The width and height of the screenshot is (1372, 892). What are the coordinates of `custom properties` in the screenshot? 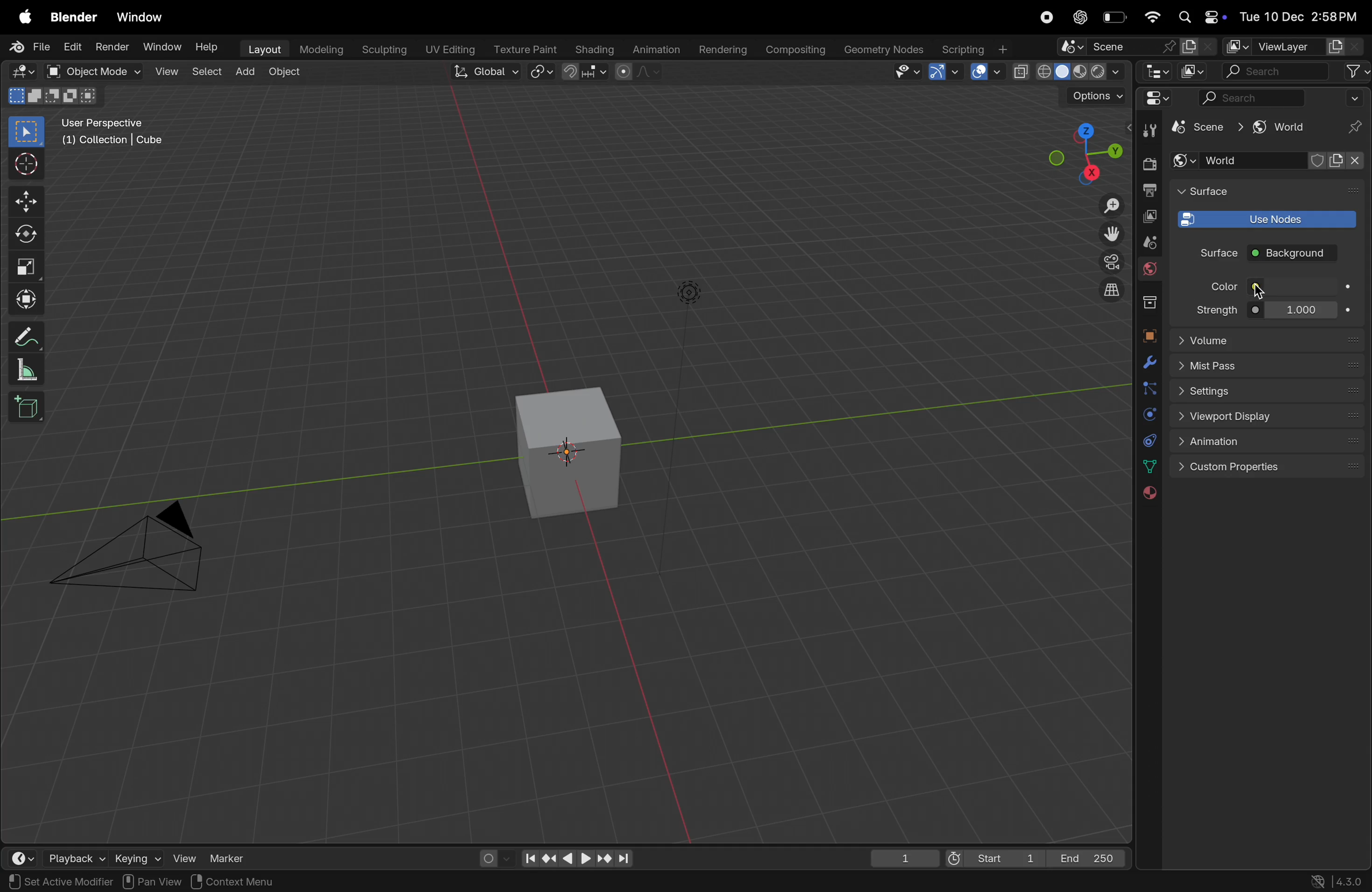 It's located at (1269, 467).